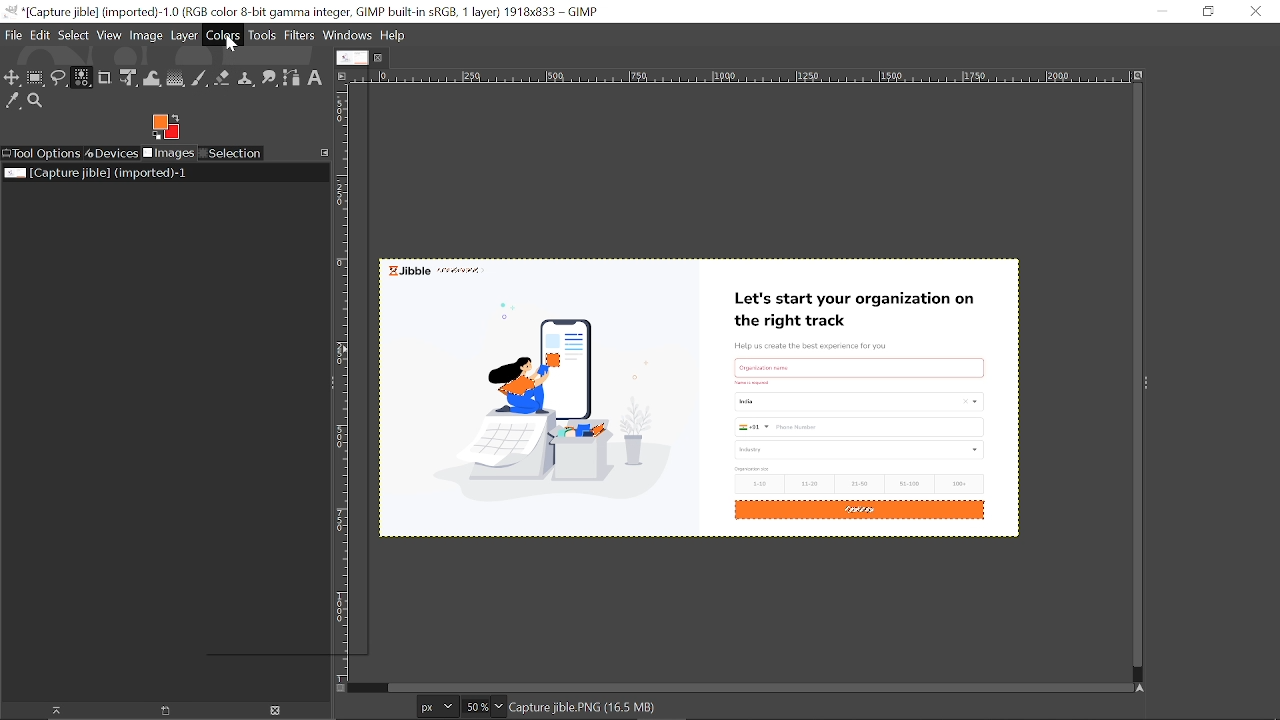 The width and height of the screenshot is (1280, 720). I want to click on Selection, so click(232, 153).